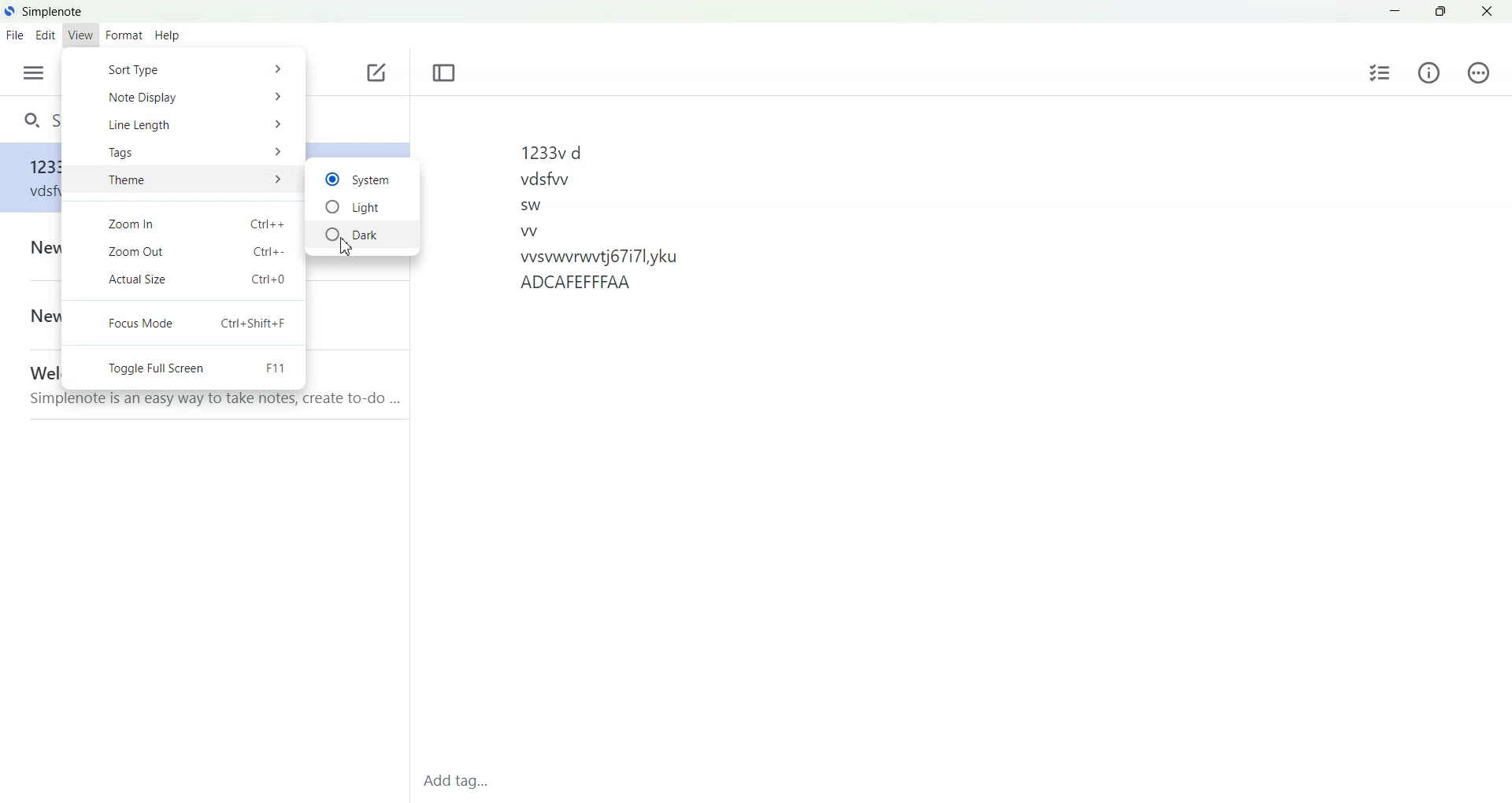 The width and height of the screenshot is (1512, 803). What do you see at coordinates (184, 124) in the screenshot?
I see `Line Length` at bounding box center [184, 124].